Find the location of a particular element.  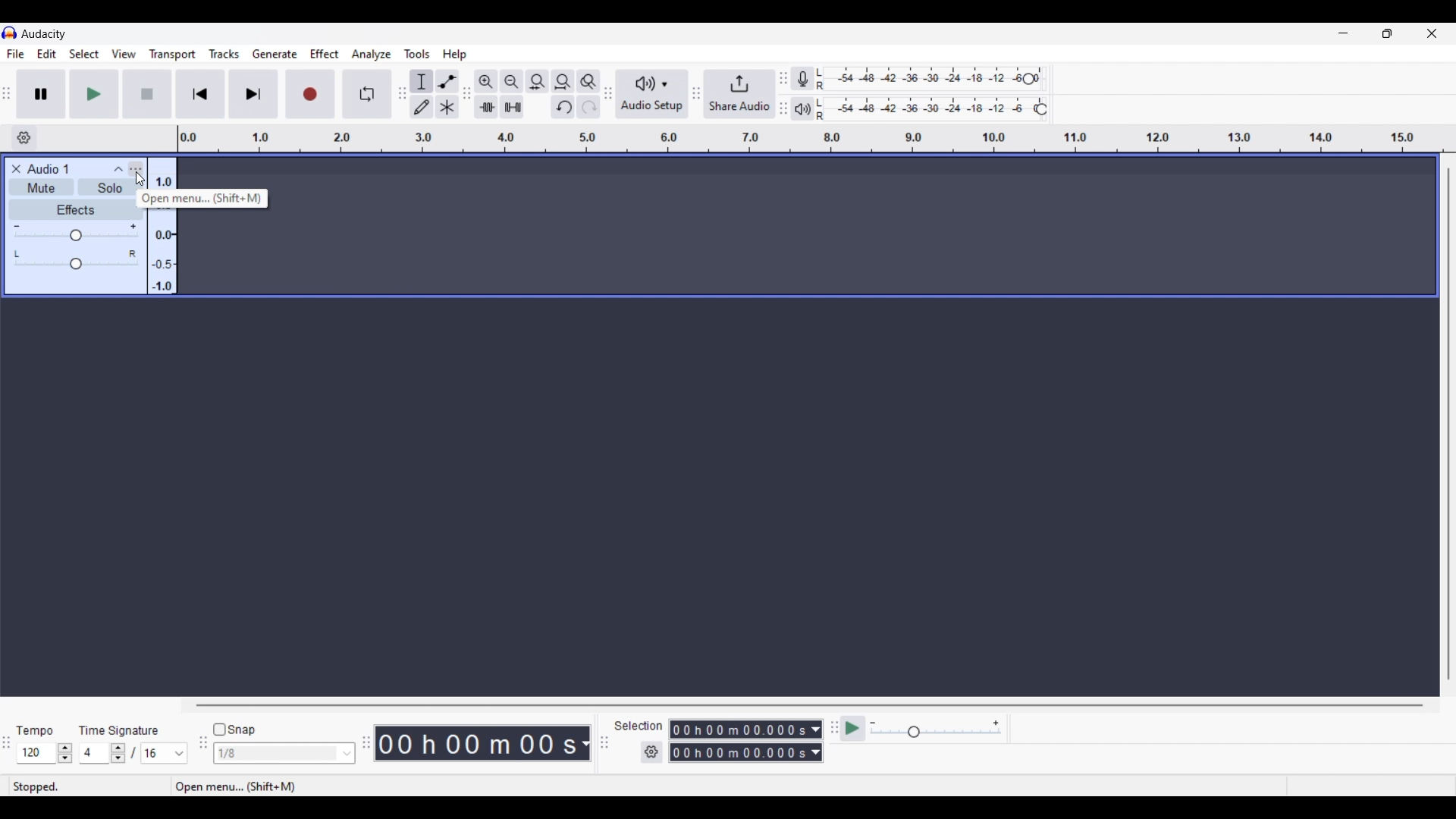

1.0 is located at coordinates (164, 180).